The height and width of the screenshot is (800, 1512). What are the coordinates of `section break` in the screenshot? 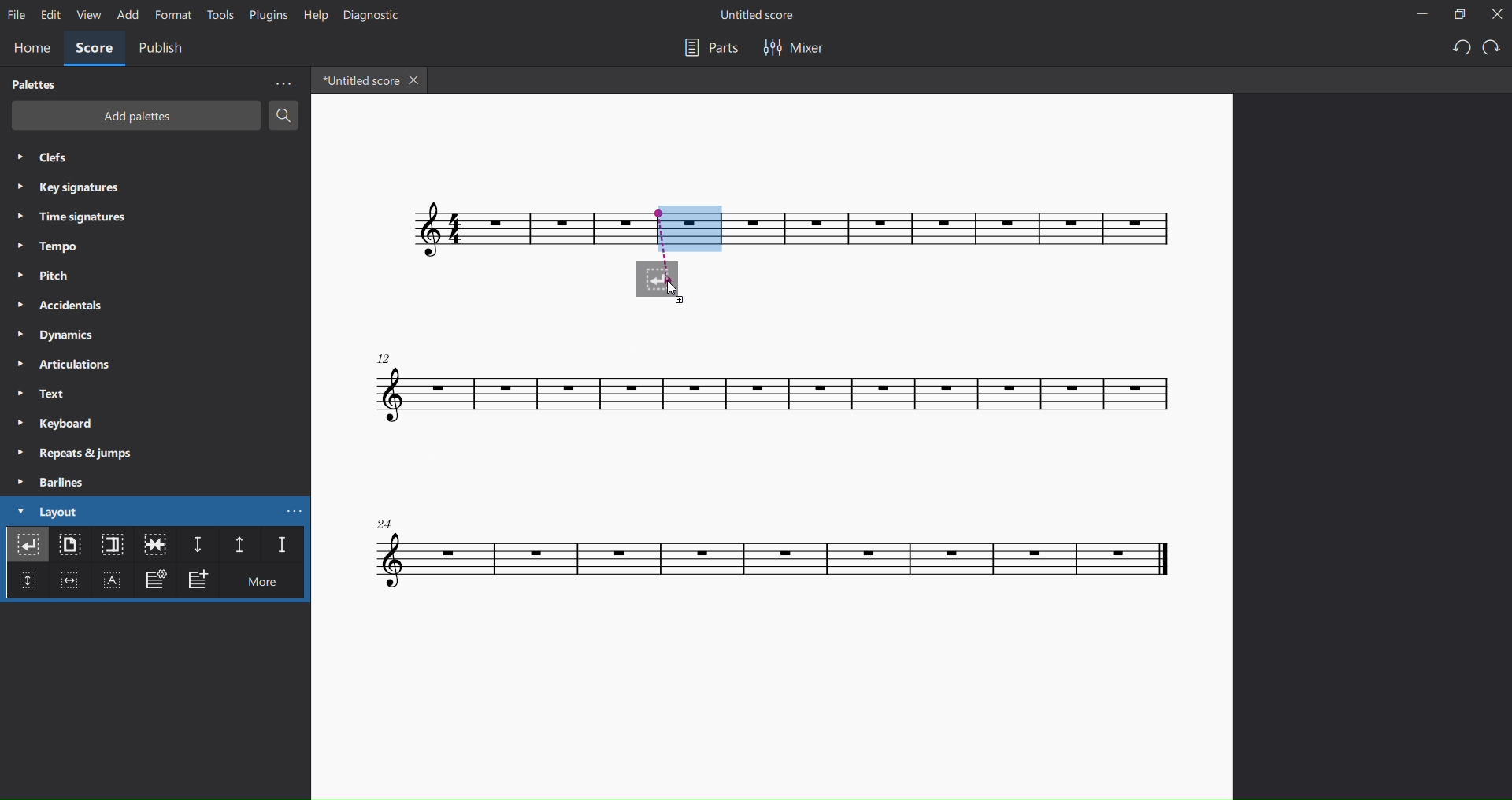 It's located at (110, 546).